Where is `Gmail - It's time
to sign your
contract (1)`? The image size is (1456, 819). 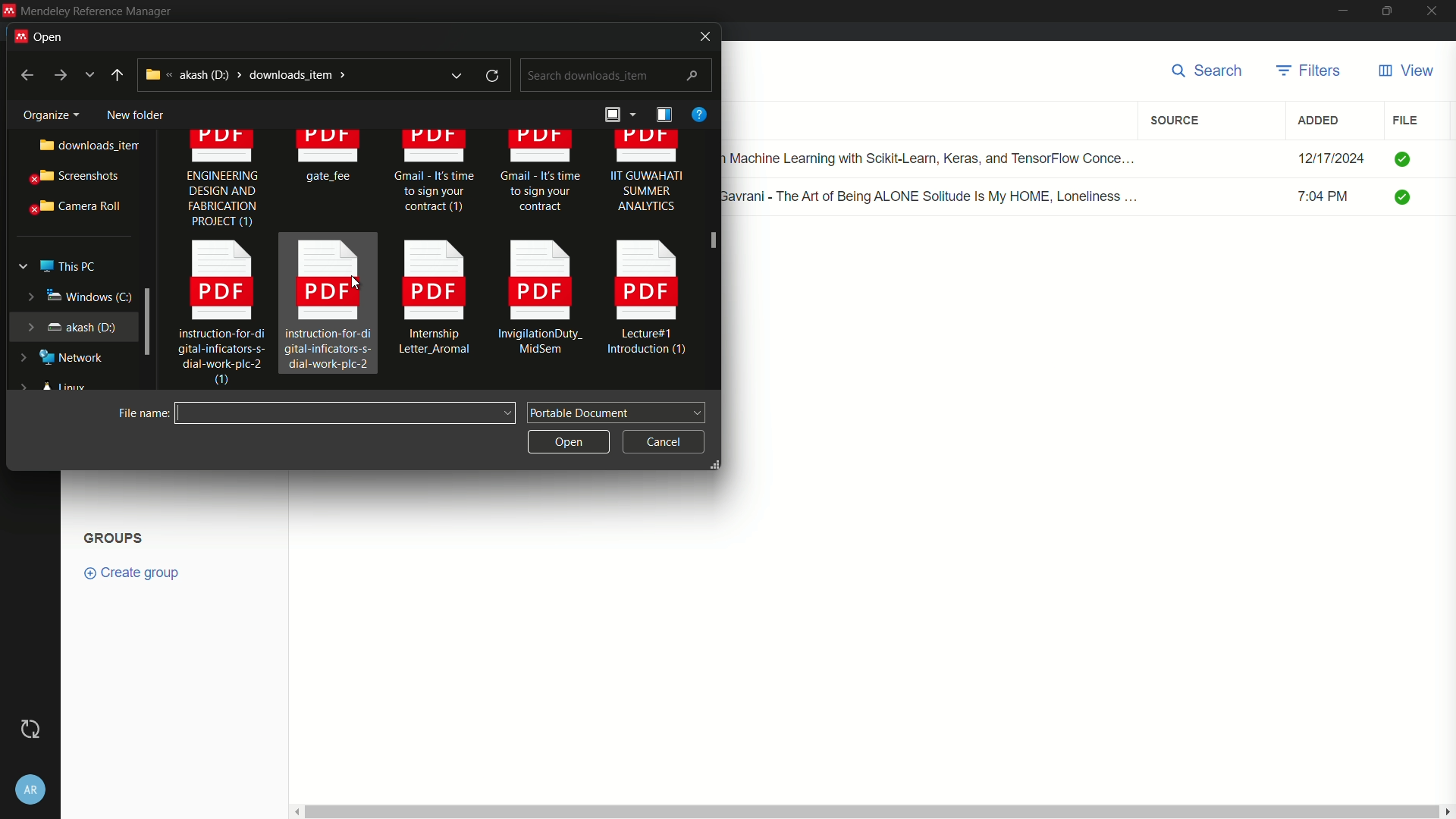 Gmail - It's time
to sign your
contract (1) is located at coordinates (434, 178).